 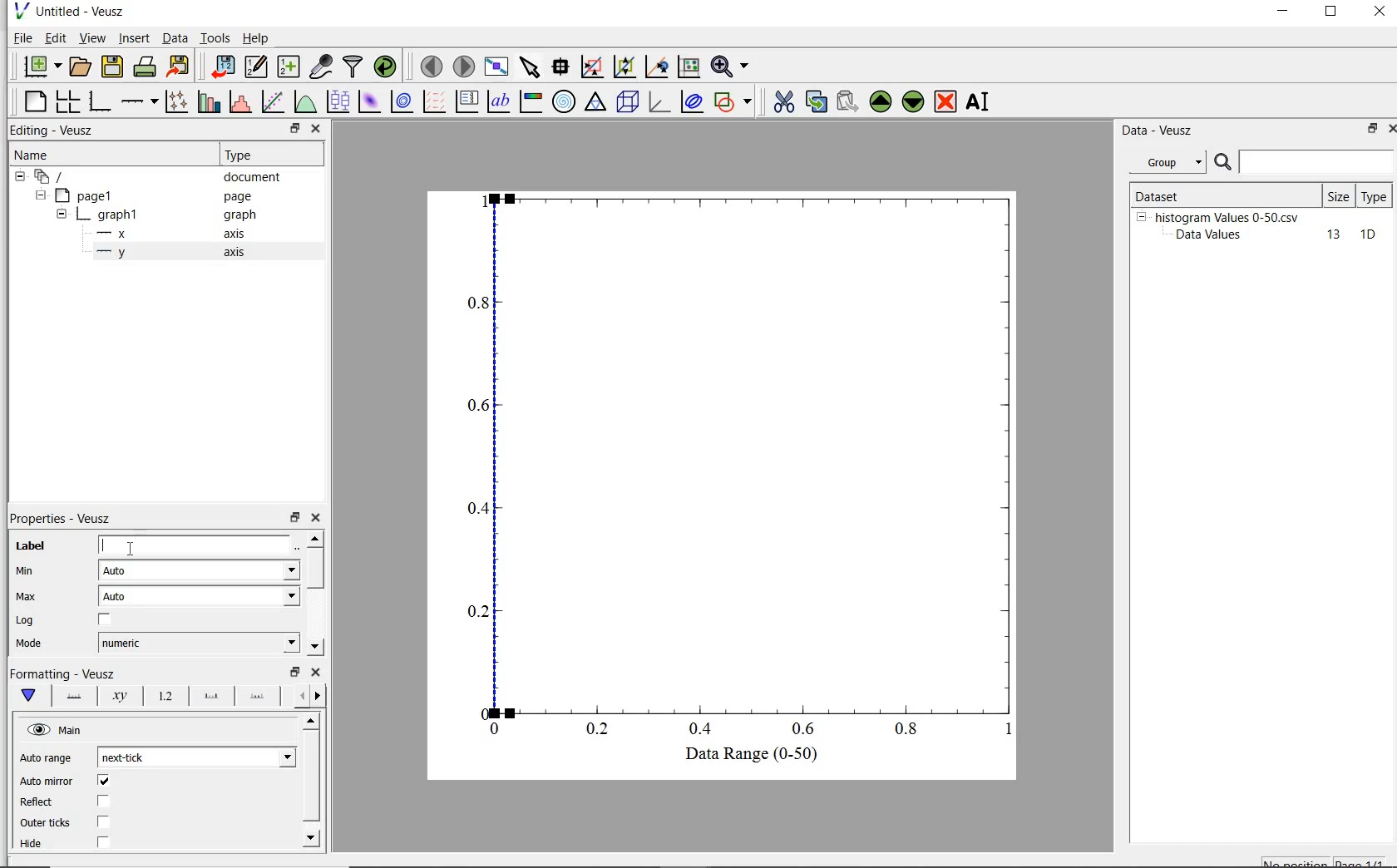 What do you see at coordinates (299, 696) in the screenshot?
I see `previous options` at bounding box center [299, 696].